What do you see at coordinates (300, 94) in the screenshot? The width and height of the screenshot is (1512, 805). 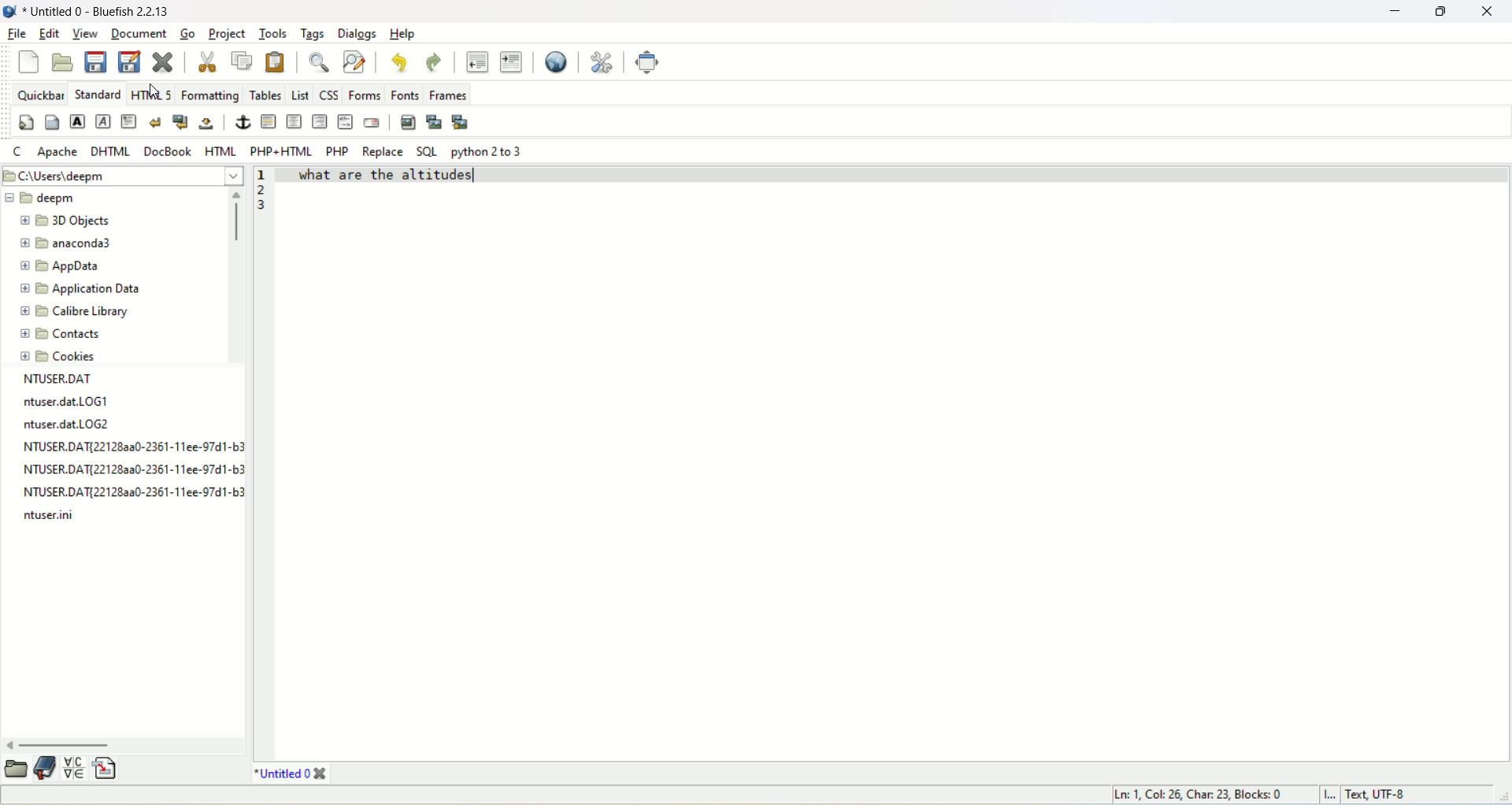 I see `list` at bounding box center [300, 94].